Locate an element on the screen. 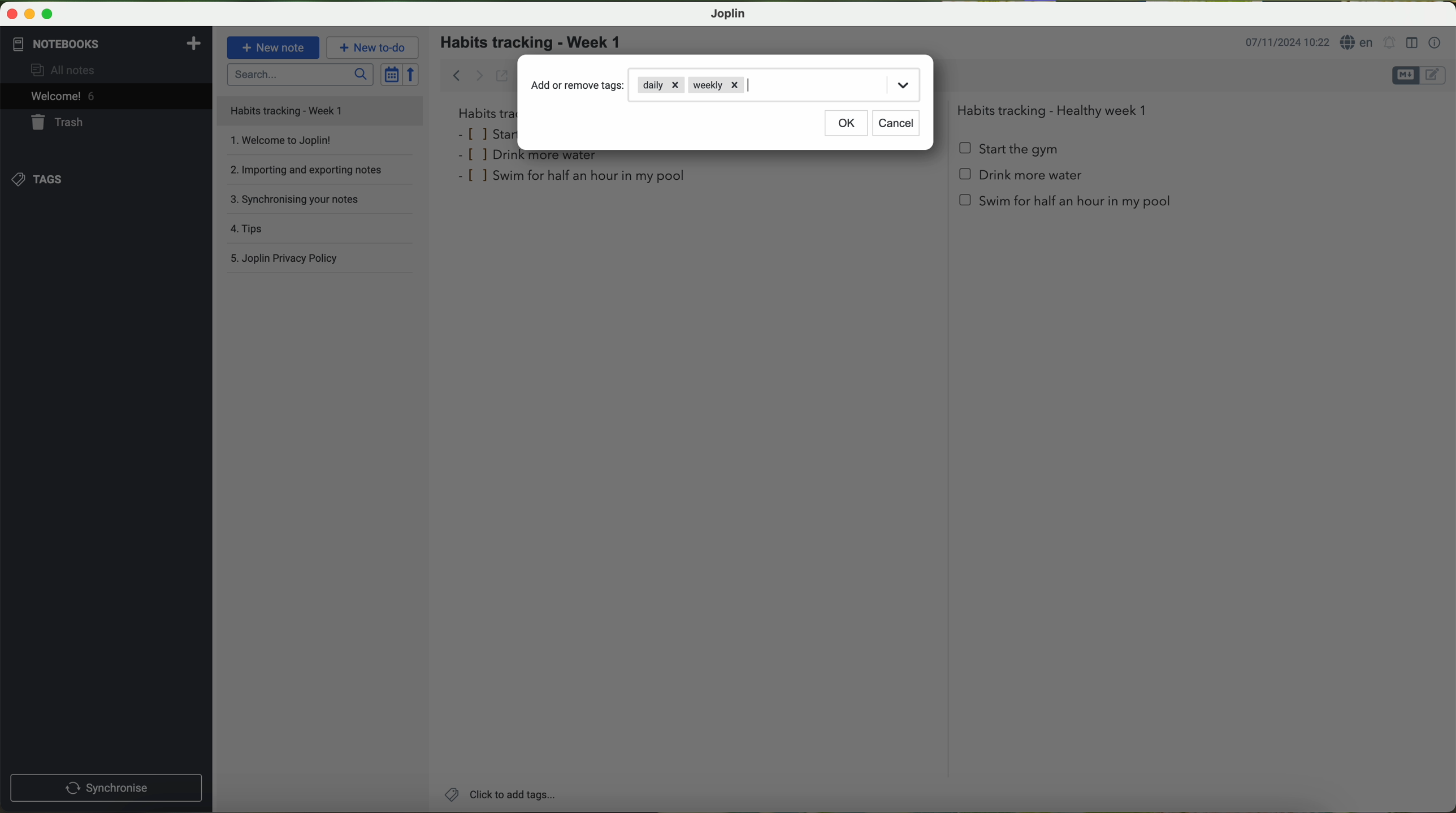 This screenshot has height=813, width=1456. trash is located at coordinates (59, 122).